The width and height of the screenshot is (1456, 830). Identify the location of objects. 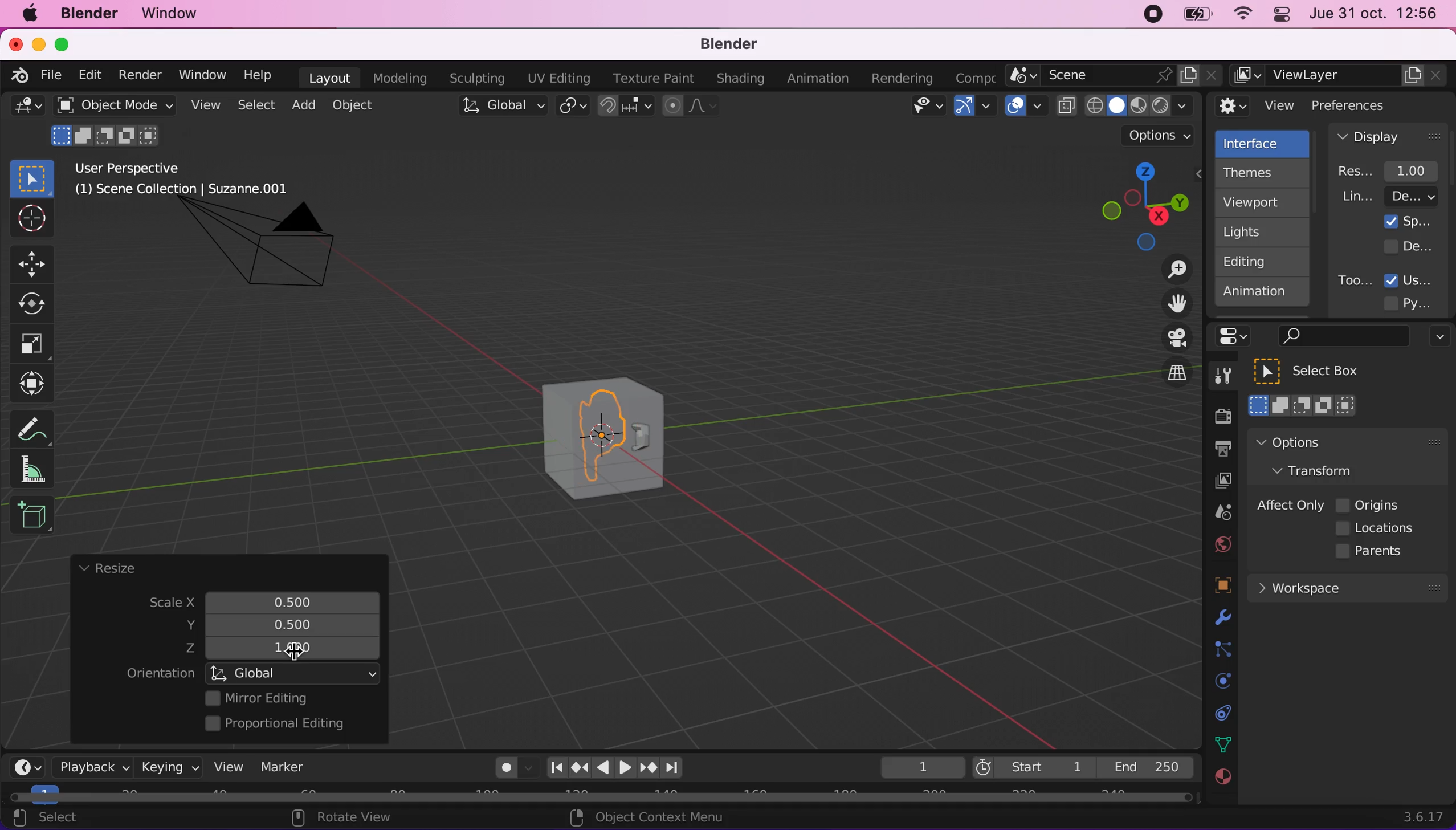
(1209, 587).